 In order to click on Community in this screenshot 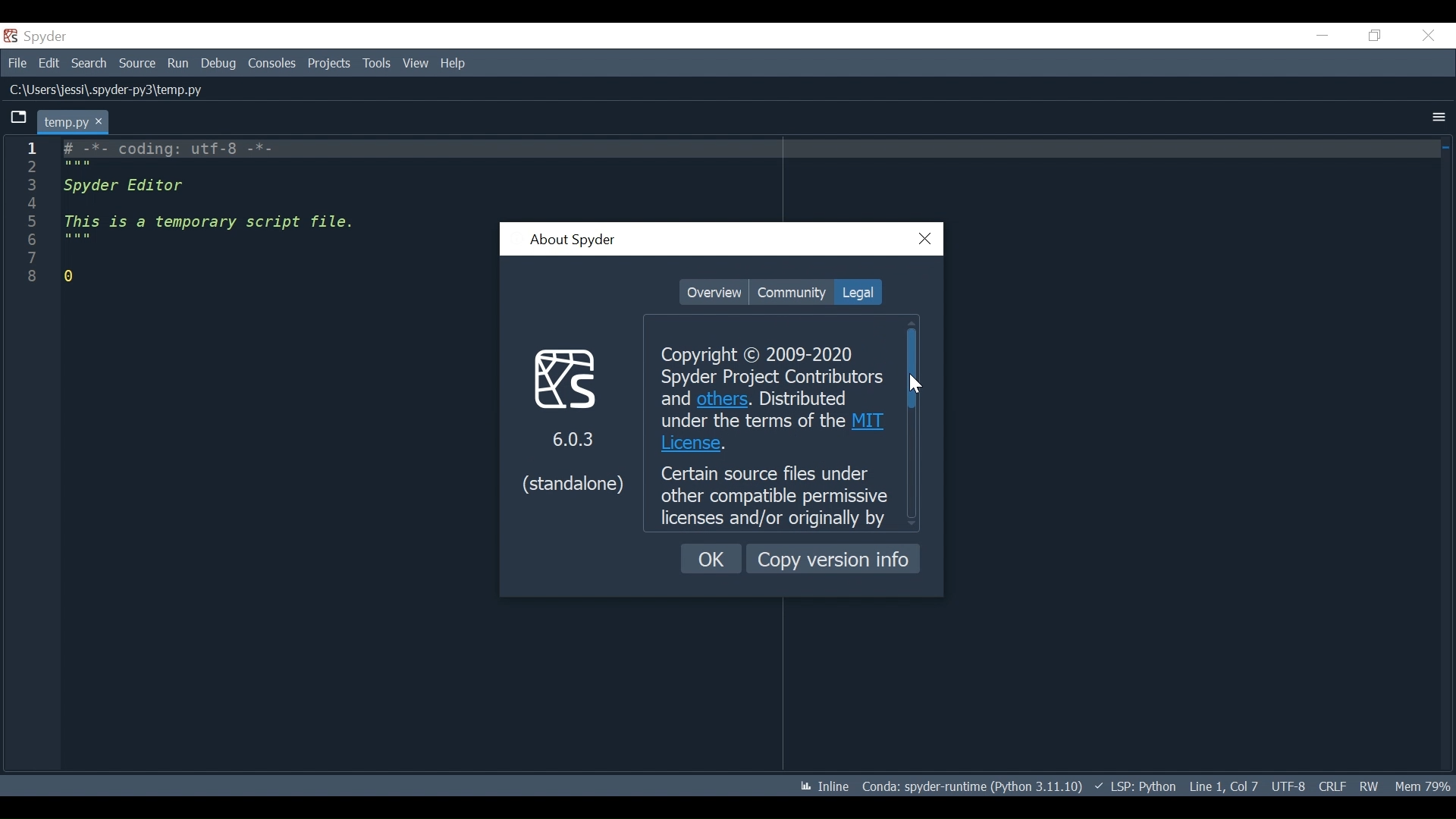, I will do `click(791, 292)`.